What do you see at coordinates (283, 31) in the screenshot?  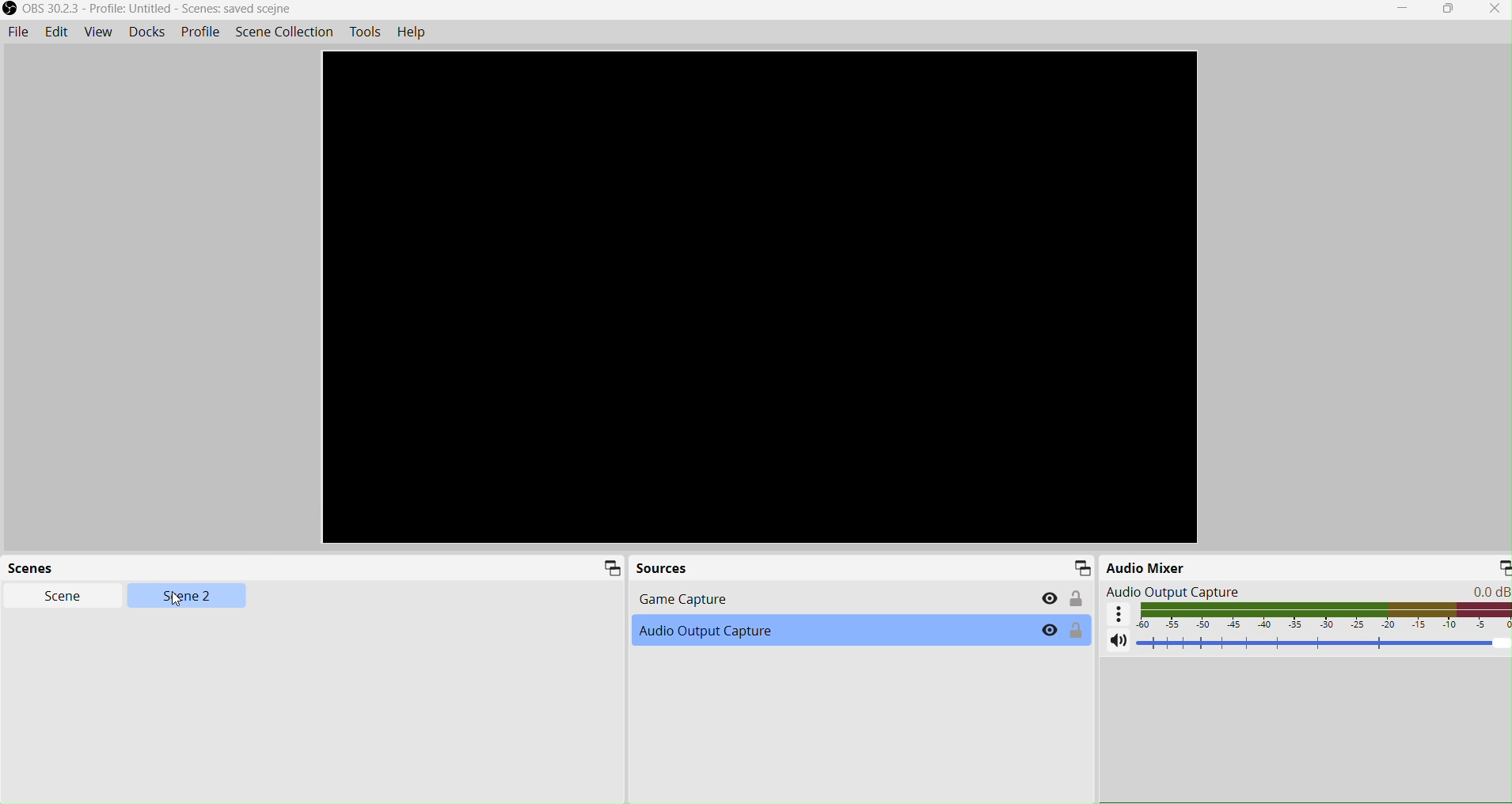 I see `Scene Collection` at bounding box center [283, 31].